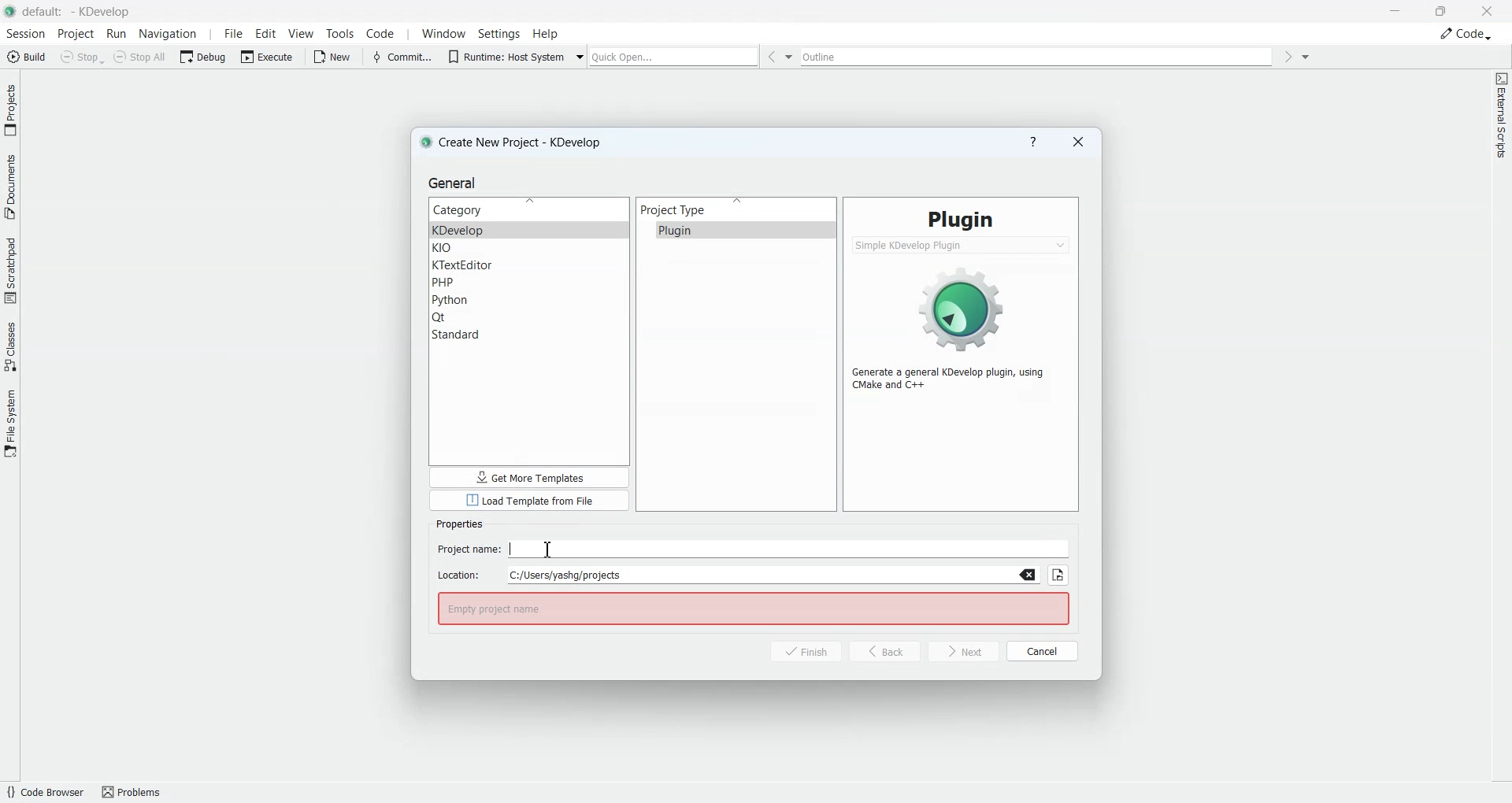  I want to click on Text Cursor, so click(549, 549).